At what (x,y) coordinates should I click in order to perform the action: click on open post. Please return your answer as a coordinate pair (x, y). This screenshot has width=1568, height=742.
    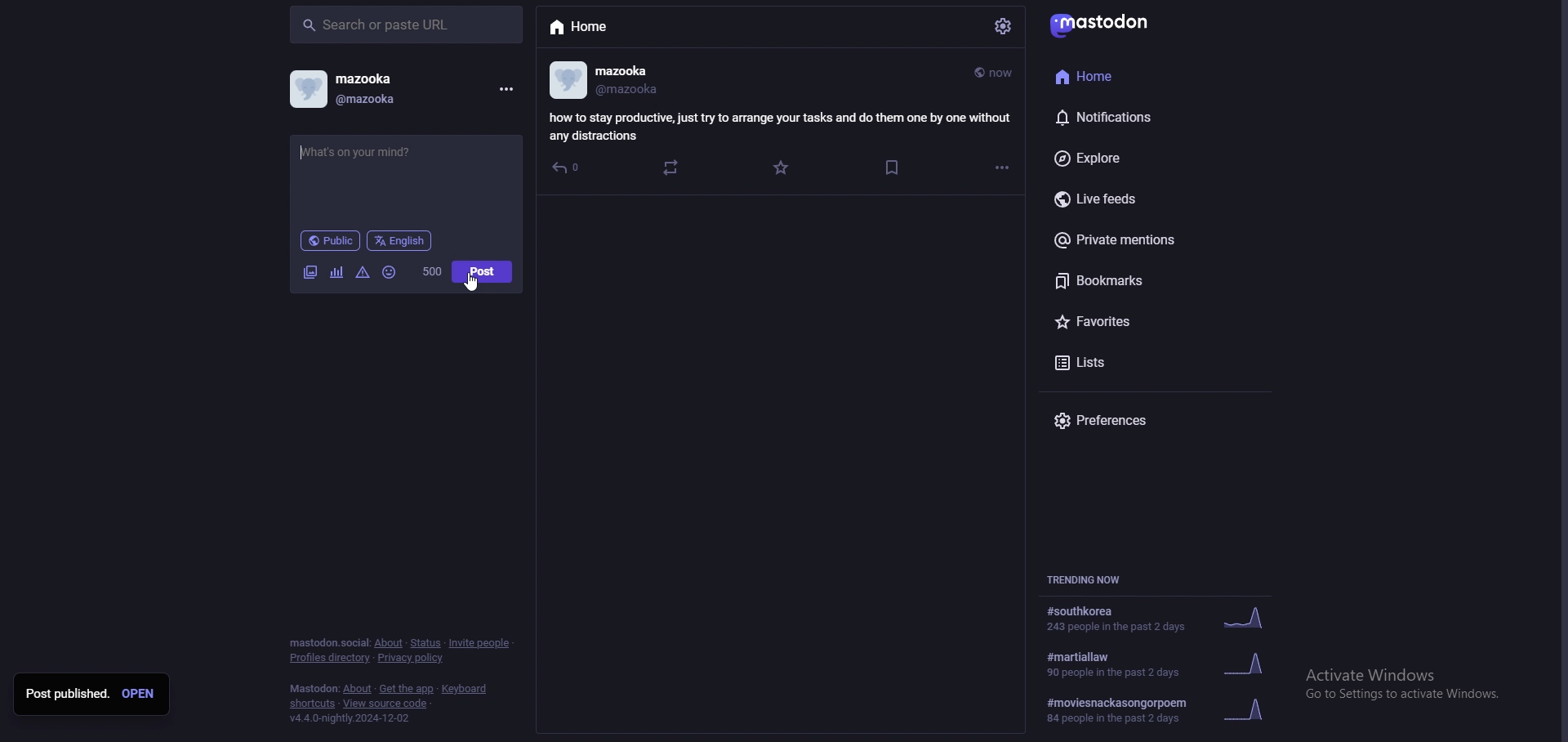
    Looking at the image, I should click on (142, 694).